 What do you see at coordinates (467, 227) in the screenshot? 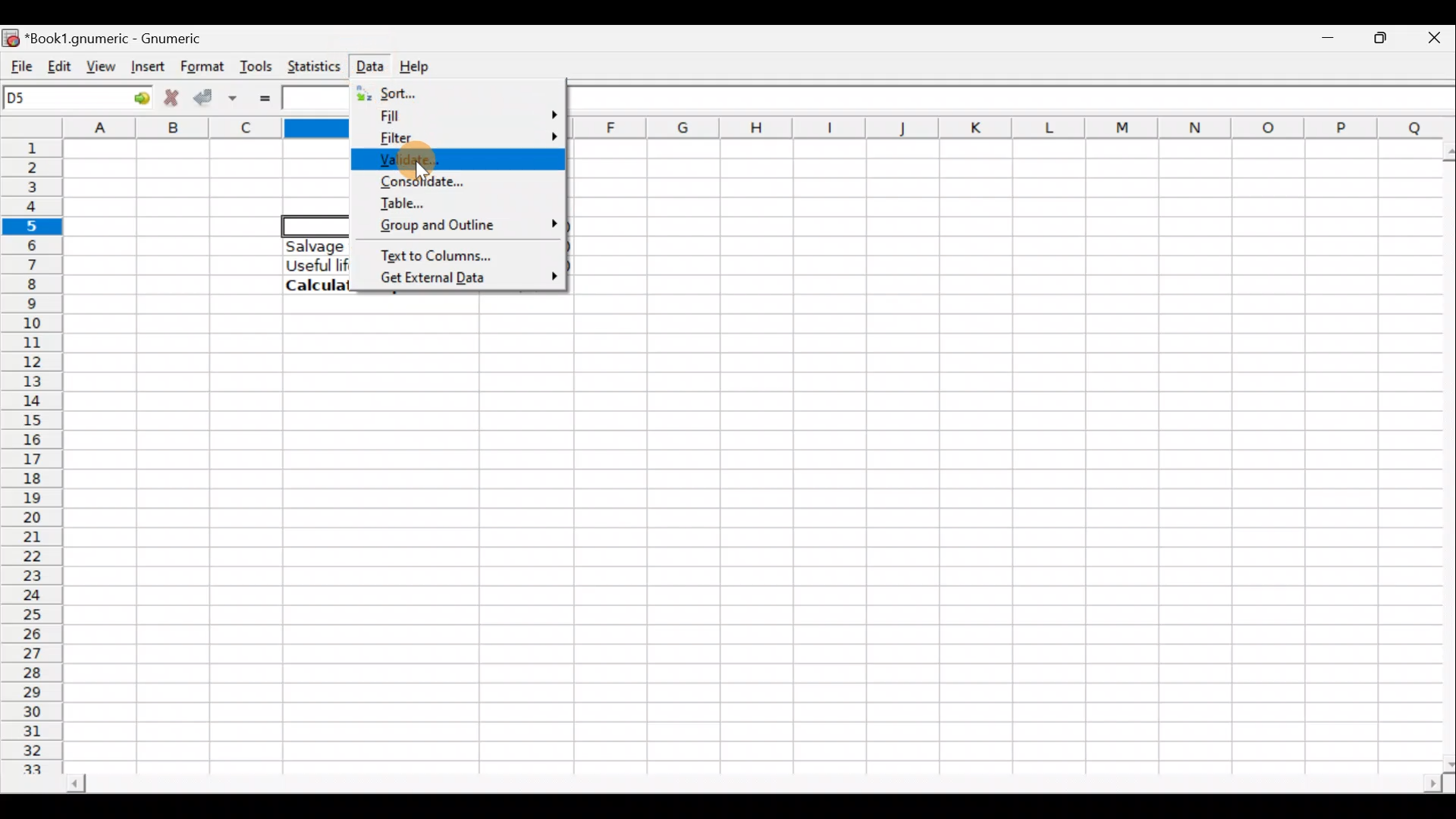
I see `Group & outline` at bounding box center [467, 227].